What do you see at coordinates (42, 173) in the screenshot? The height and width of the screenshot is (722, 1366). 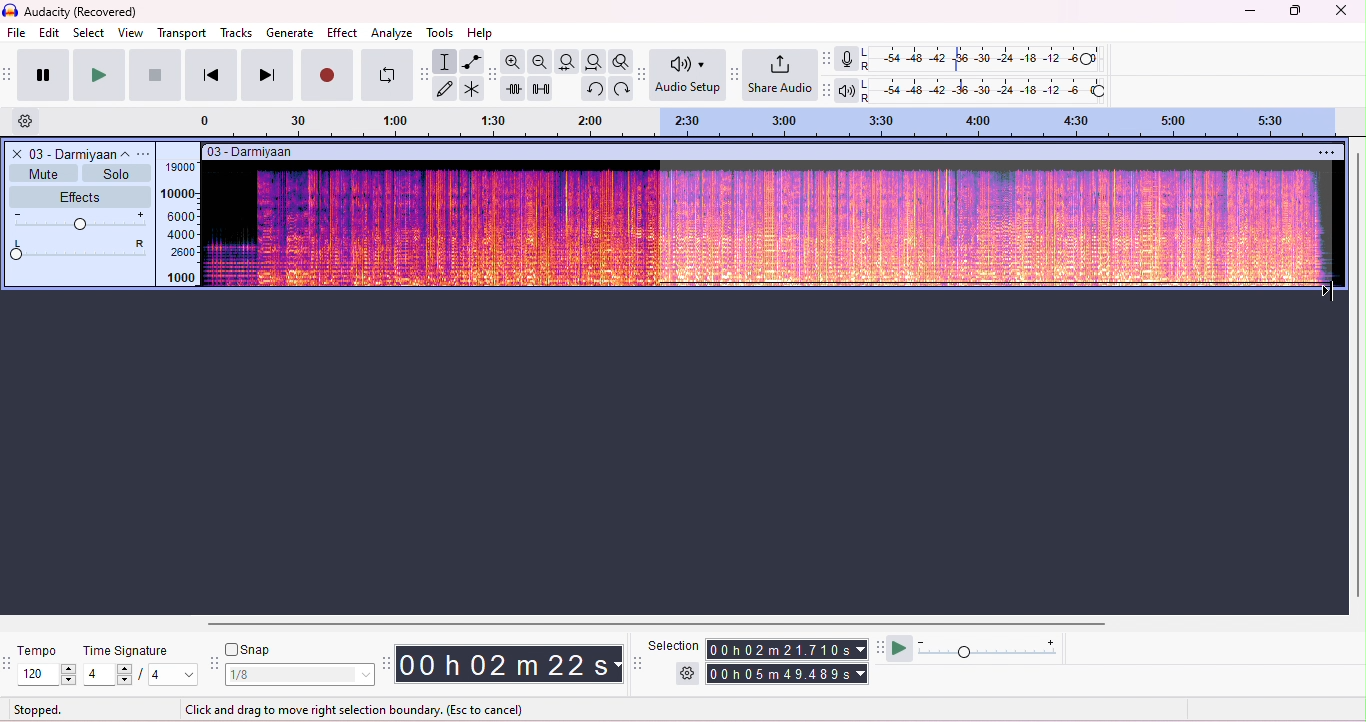 I see `mute` at bounding box center [42, 173].